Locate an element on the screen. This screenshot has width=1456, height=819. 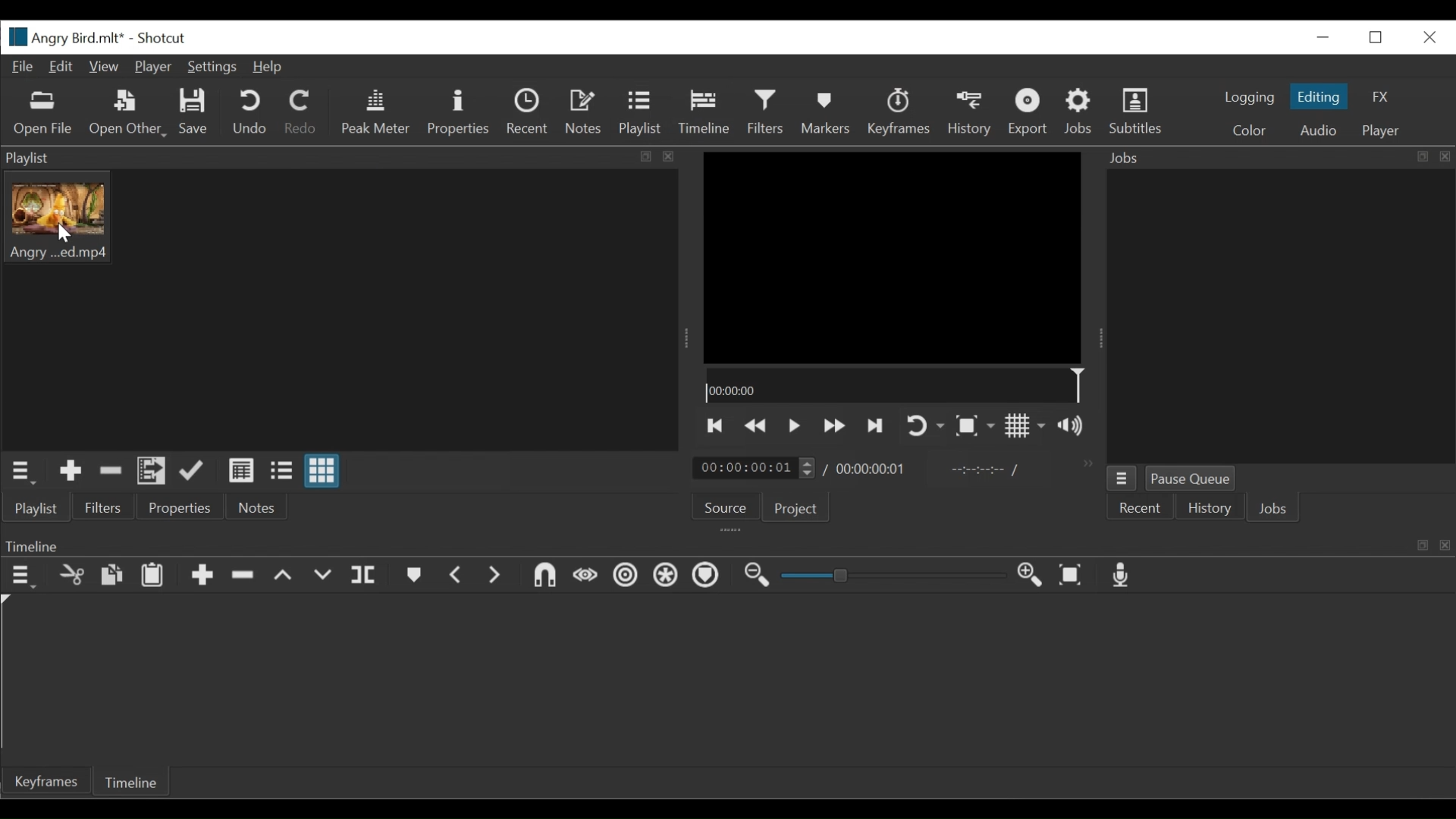
Zoom slider is located at coordinates (889, 577).